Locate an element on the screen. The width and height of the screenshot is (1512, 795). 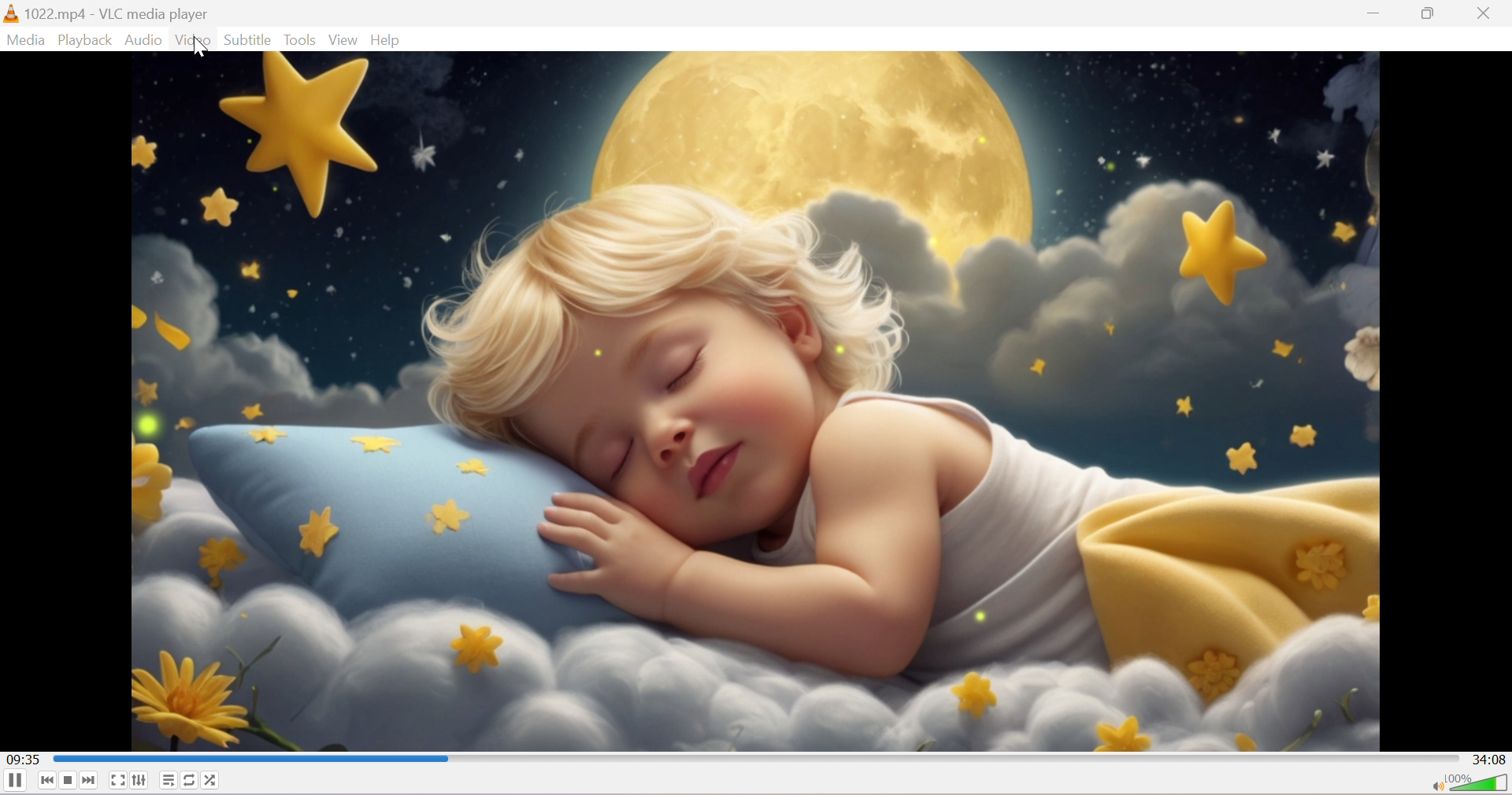
vlc media player logo is located at coordinates (10, 13).